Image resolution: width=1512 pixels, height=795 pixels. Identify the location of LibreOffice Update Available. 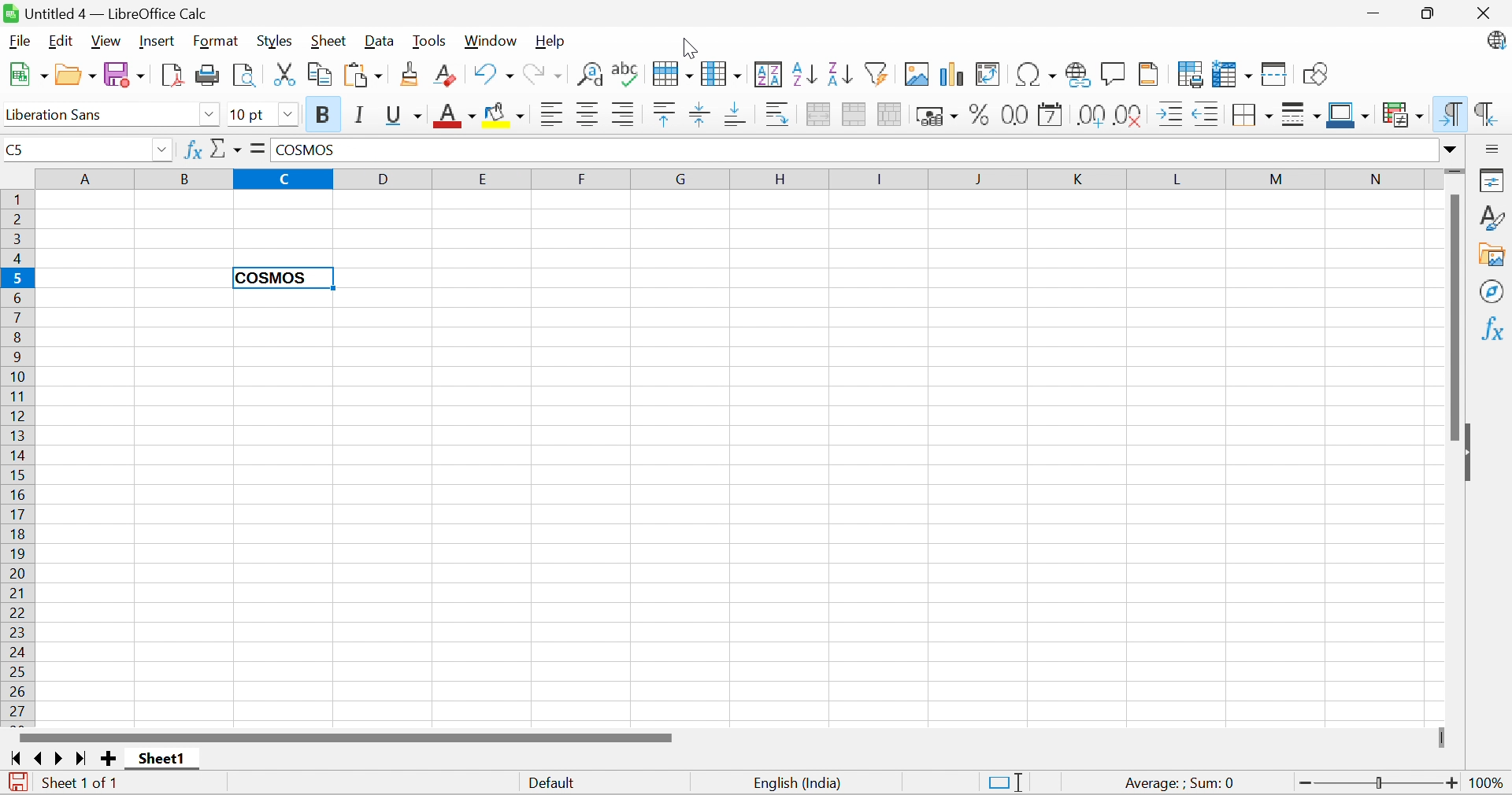
(1495, 43).